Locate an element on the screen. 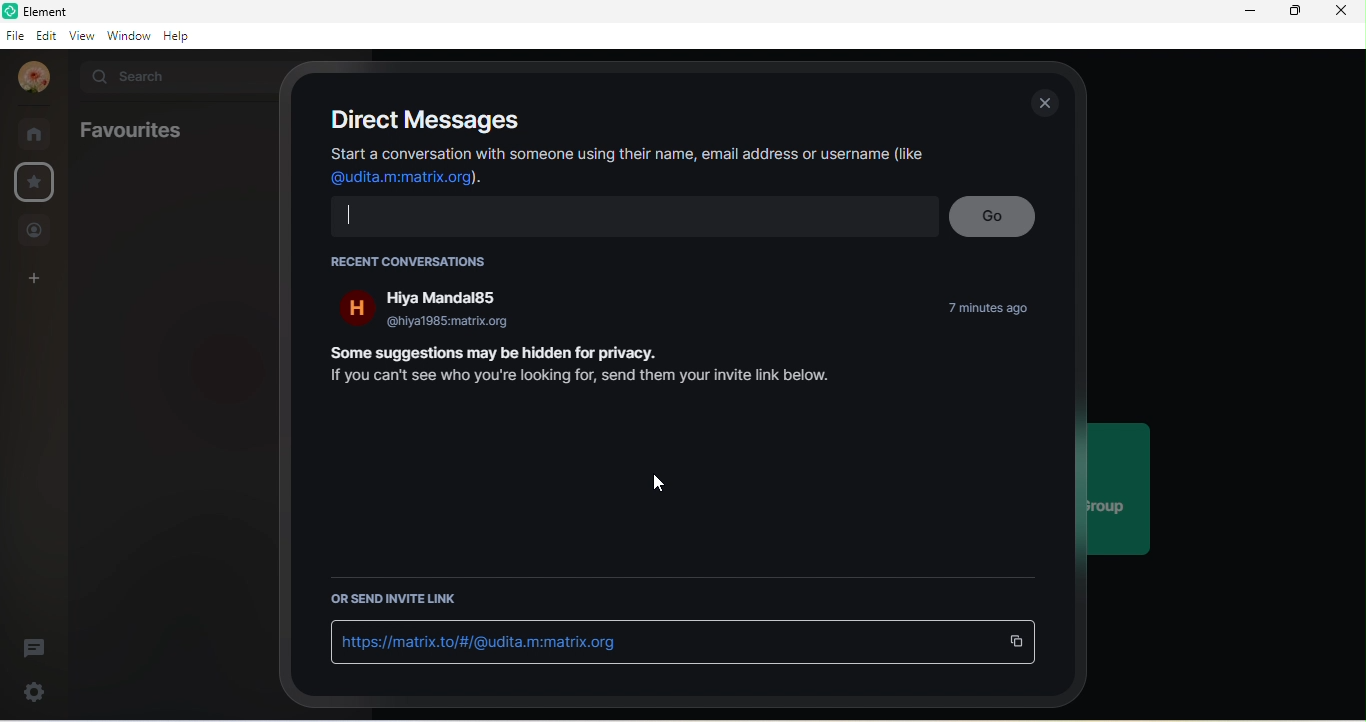 The width and height of the screenshot is (1366, 722). Element  is located at coordinates (131, 12).